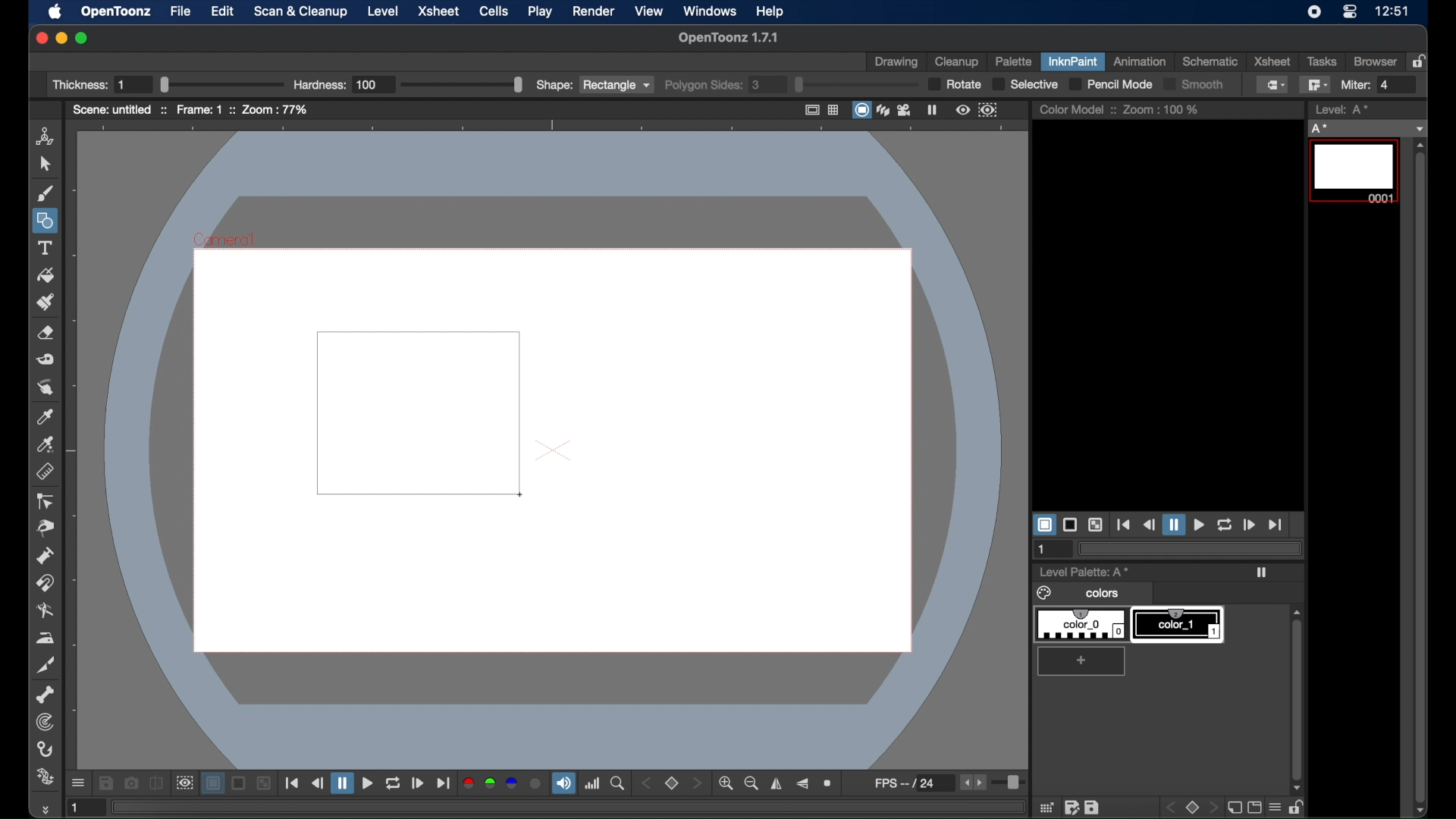 Image resolution: width=1456 pixels, height=819 pixels. I want to click on help, so click(770, 11).